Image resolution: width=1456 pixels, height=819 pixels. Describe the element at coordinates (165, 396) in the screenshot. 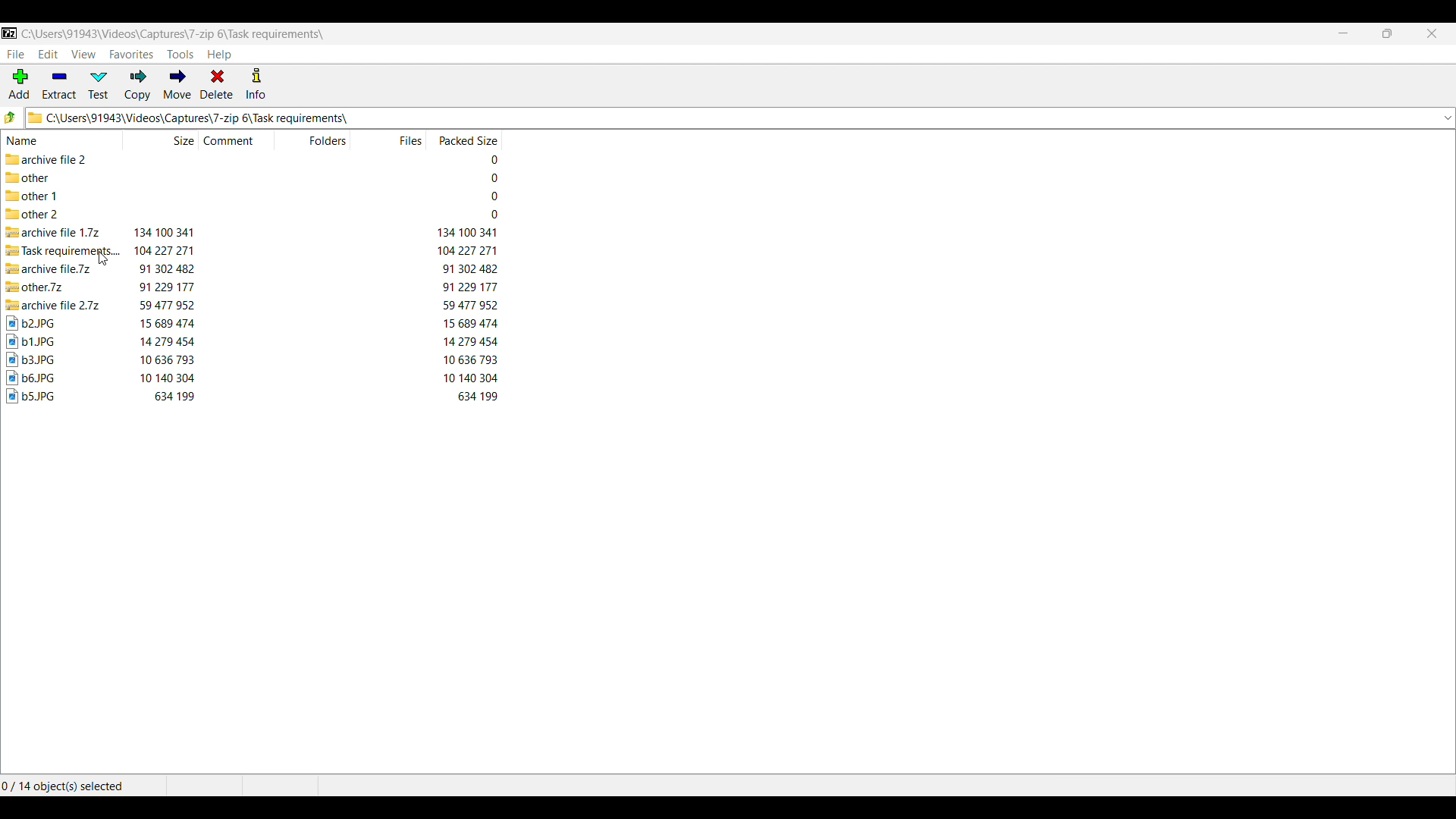

I see `size` at that location.